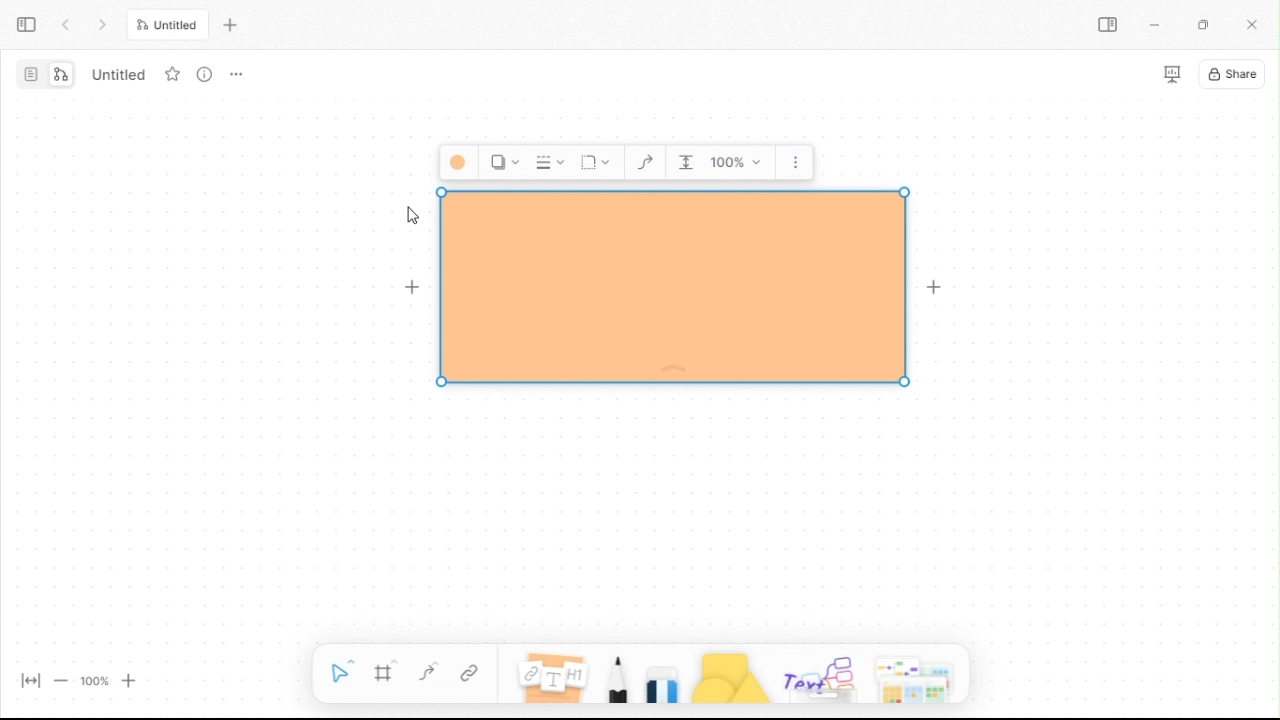 Image resolution: width=1280 pixels, height=720 pixels. What do you see at coordinates (615, 676) in the screenshot?
I see `pencil` at bounding box center [615, 676].